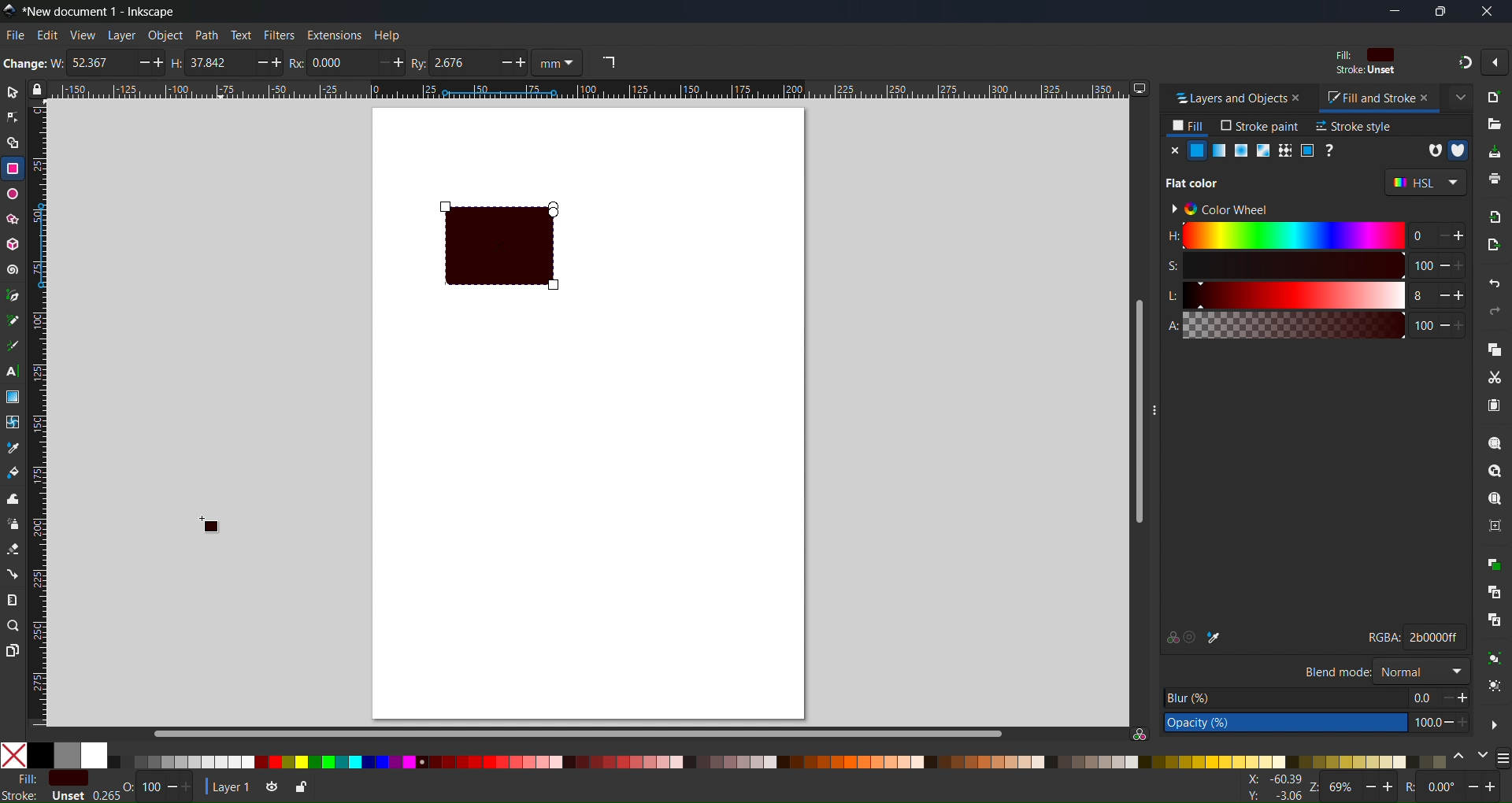 The width and height of the screenshot is (1512, 803). What do you see at coordinates (1493, 660) in the screenshot?
I see `Group` at bounding box center [1493, 660].